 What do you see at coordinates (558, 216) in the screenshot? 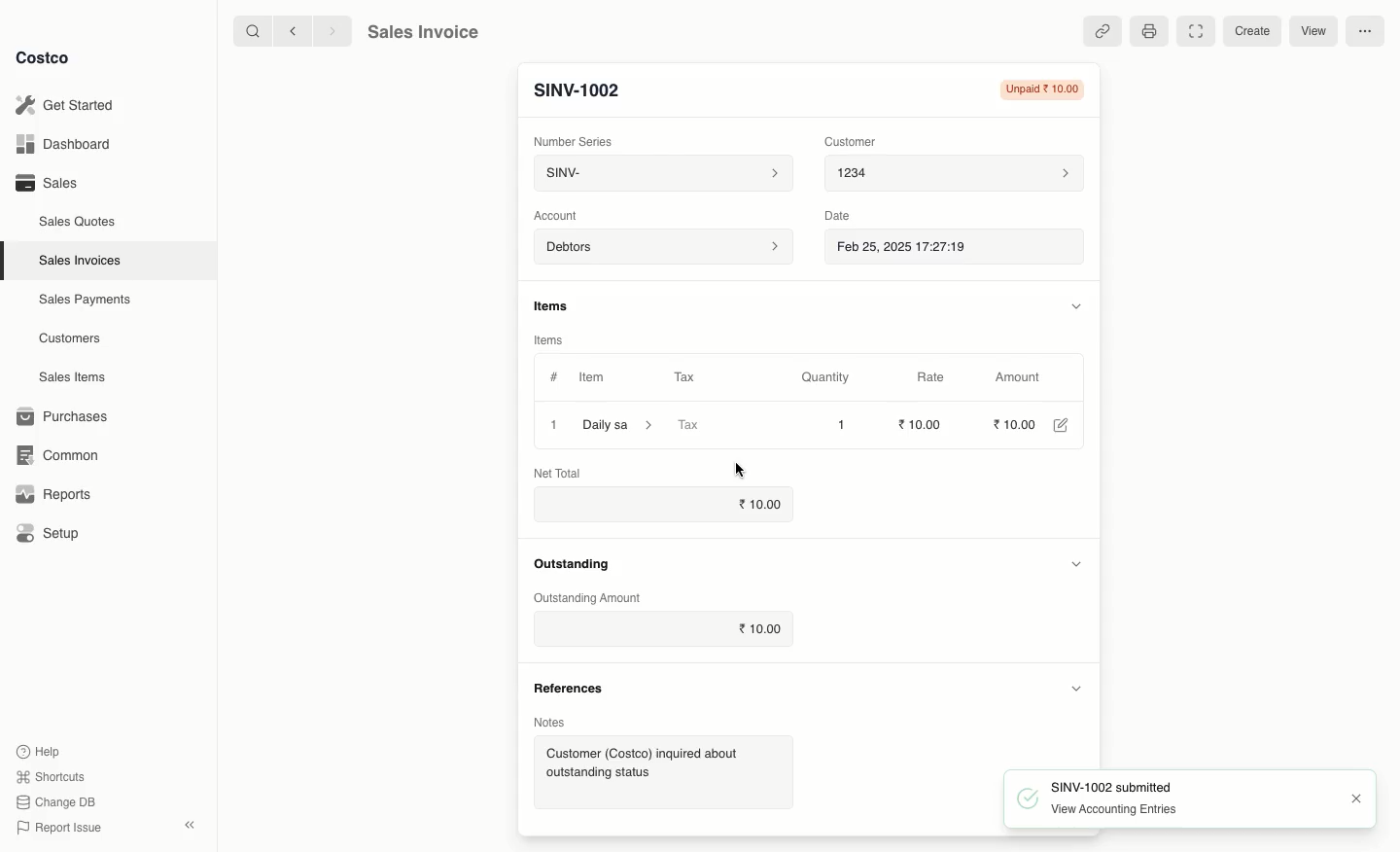
I see `‘Account` at bounding box center [558, 216].